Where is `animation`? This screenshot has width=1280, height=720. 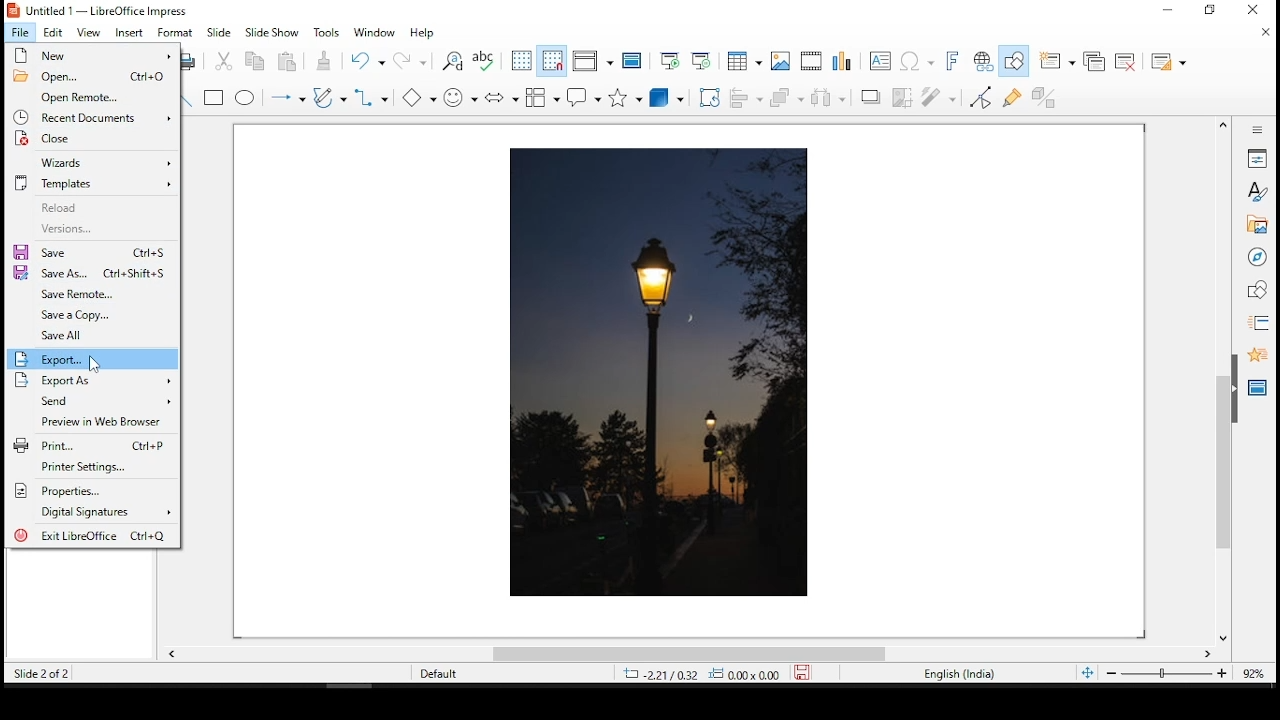
animation is located at coordinates (1257, 355).